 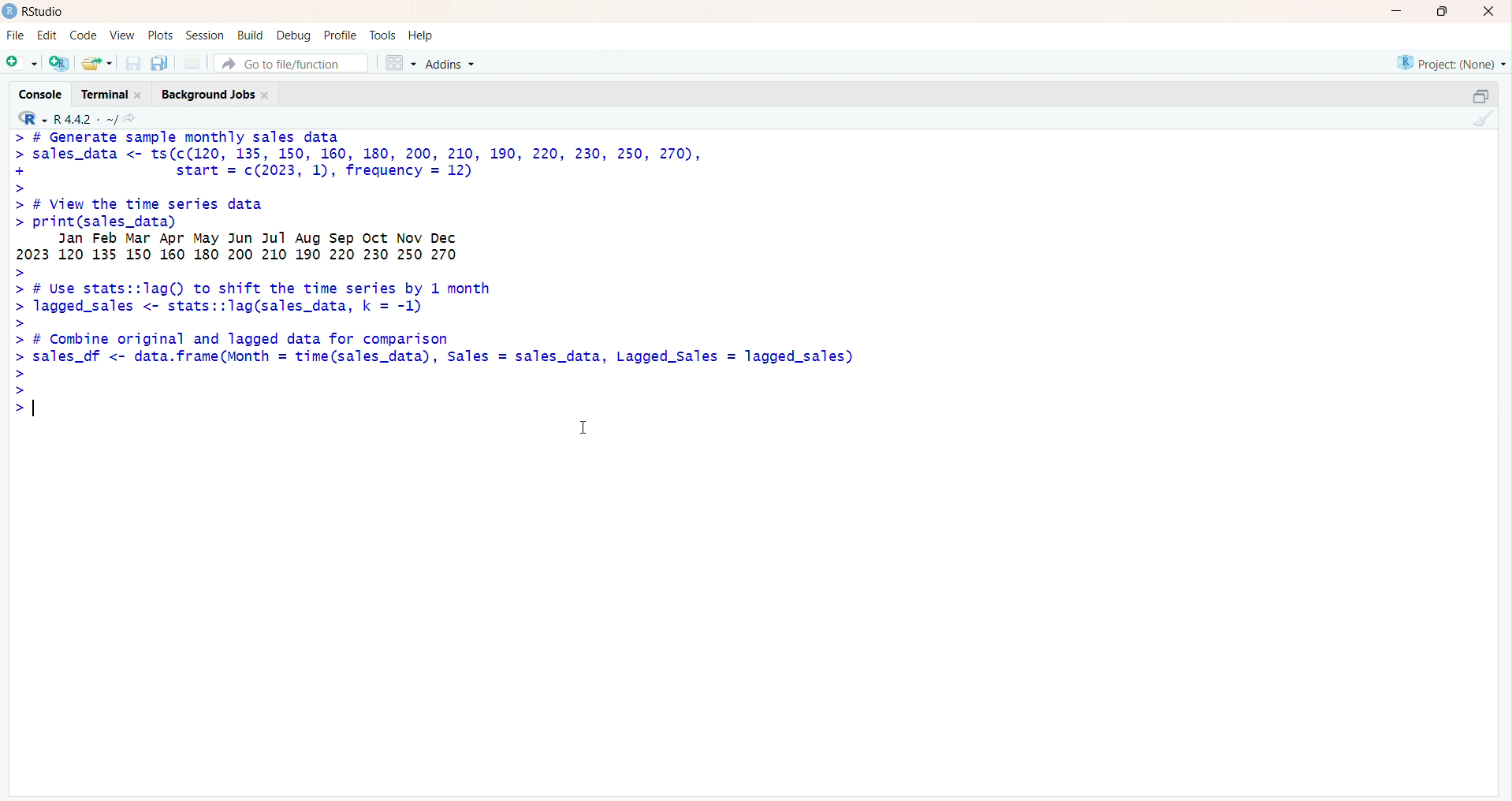 I want to click on collapse, so click(x=1480, y=95).